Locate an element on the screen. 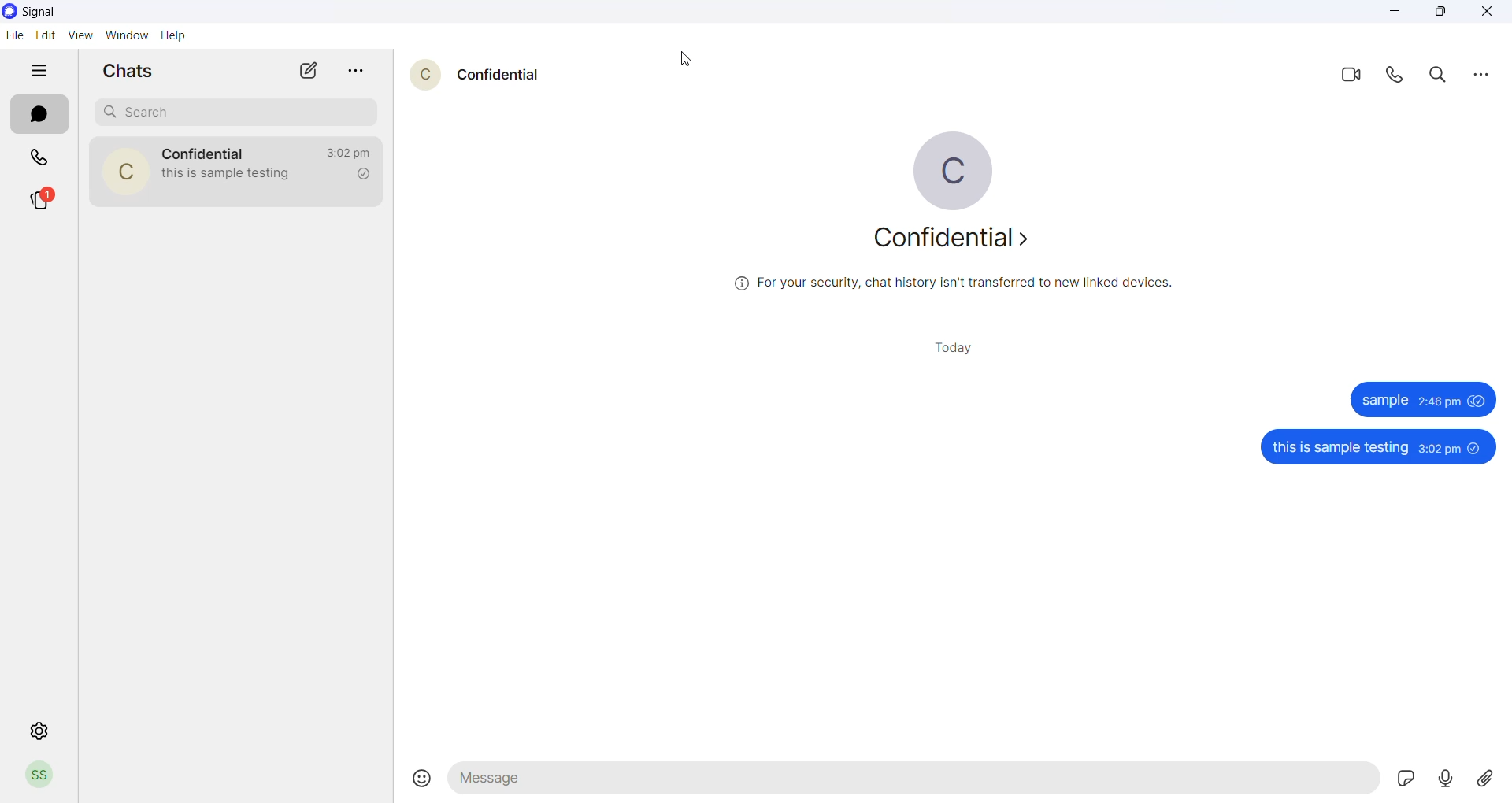 The image size is (1512, 803). last message is located at coordinates (232, 176).